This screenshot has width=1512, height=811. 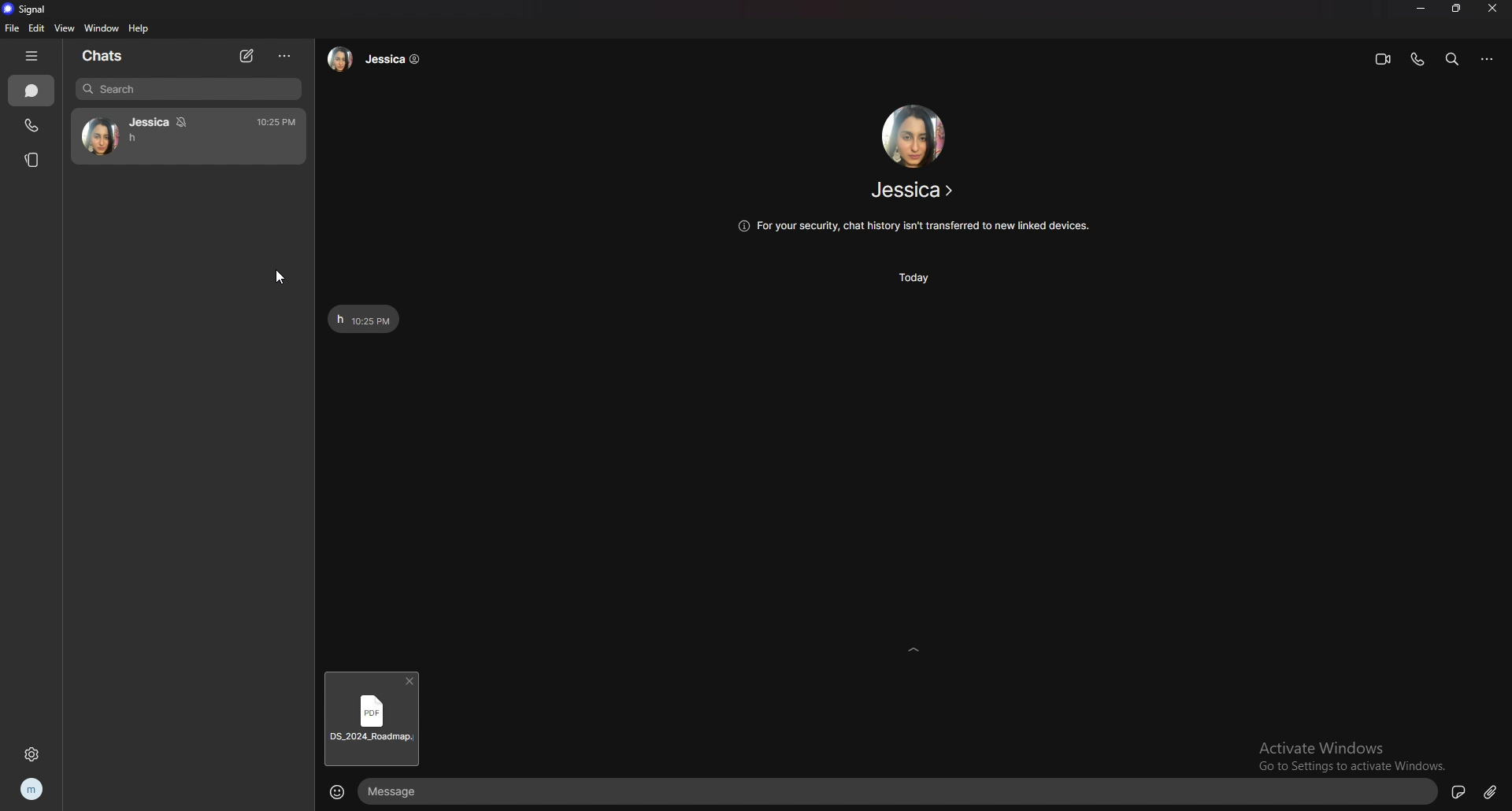 What do you see at coordinates (1458, 793) in the screenshot?
I see `voice message` at bounding box center [1458, 793].